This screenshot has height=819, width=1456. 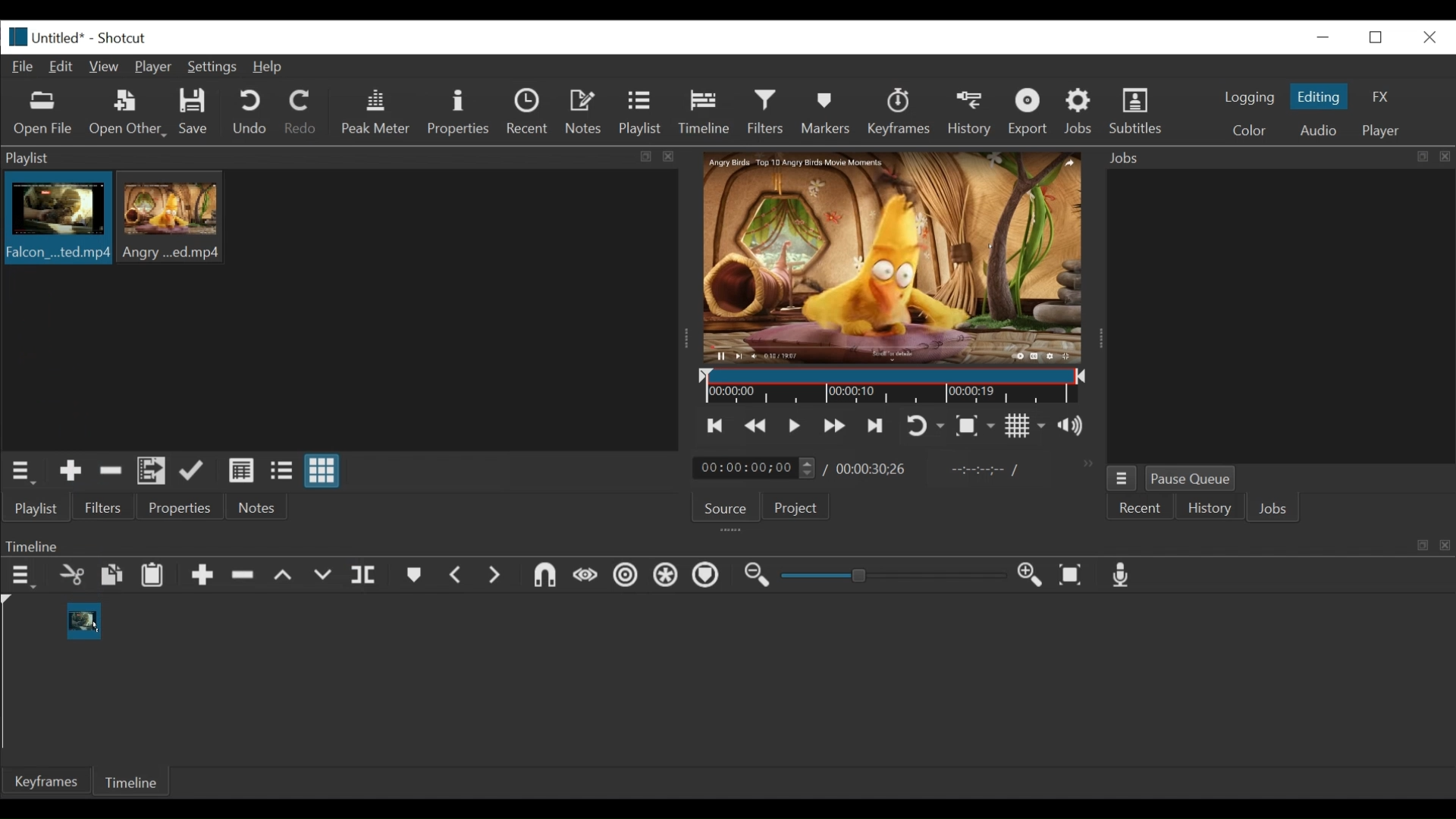 What do you see at coordinates (1323, 36) in the screenshot?
I see `minimize` at bounding box center [1323, 36].